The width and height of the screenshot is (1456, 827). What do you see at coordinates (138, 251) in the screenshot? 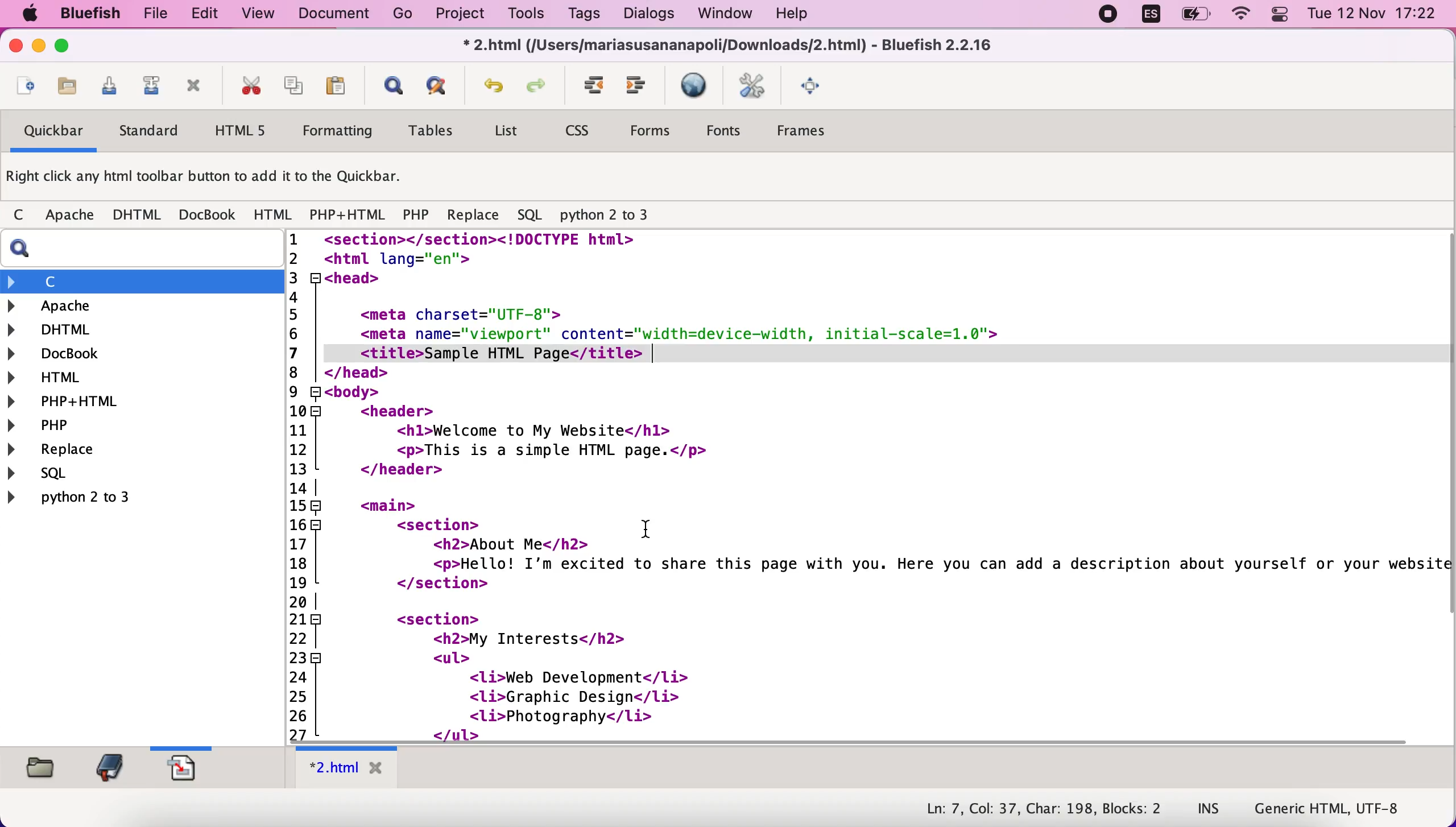
I see `search bar` at bounding box center [138, 251].